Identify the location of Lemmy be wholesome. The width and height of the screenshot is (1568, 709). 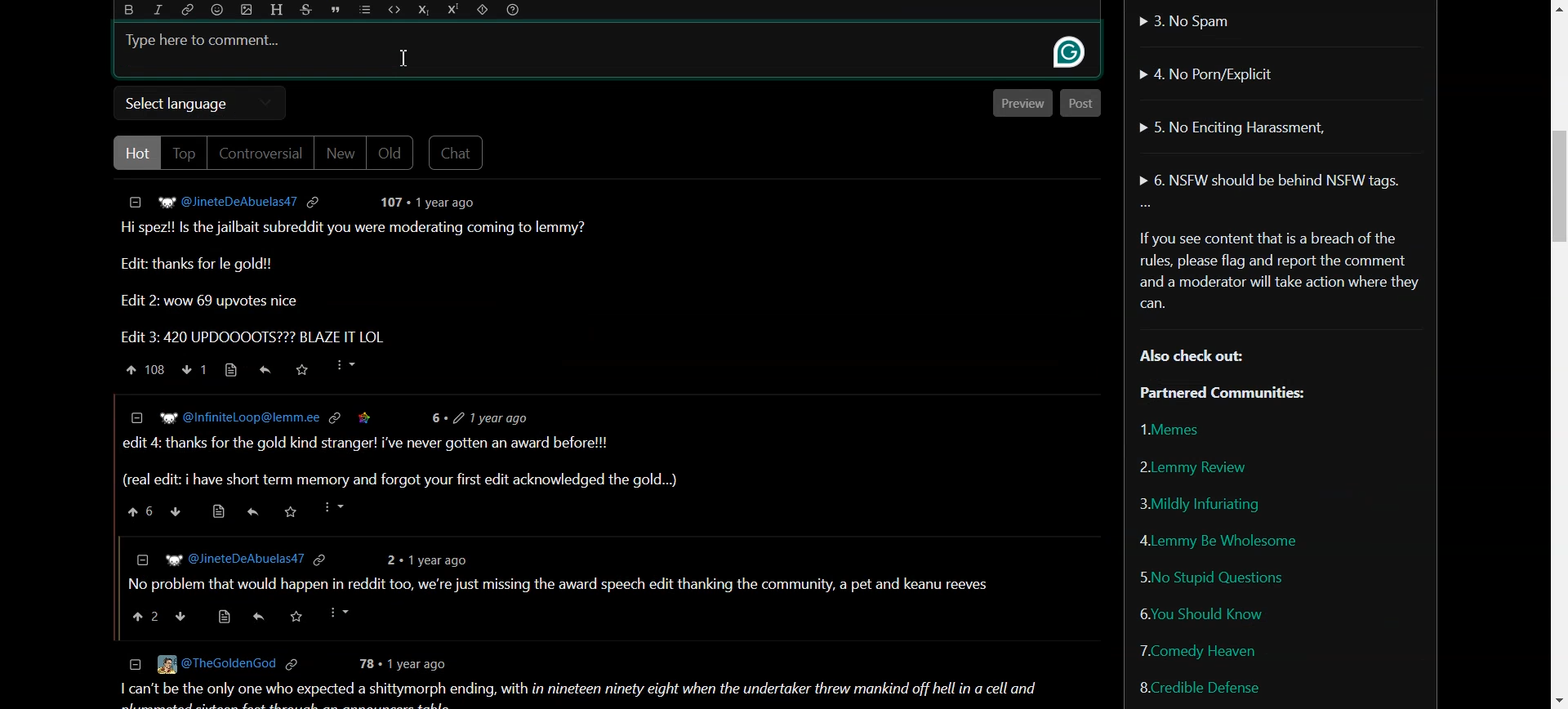
(1223, 541).